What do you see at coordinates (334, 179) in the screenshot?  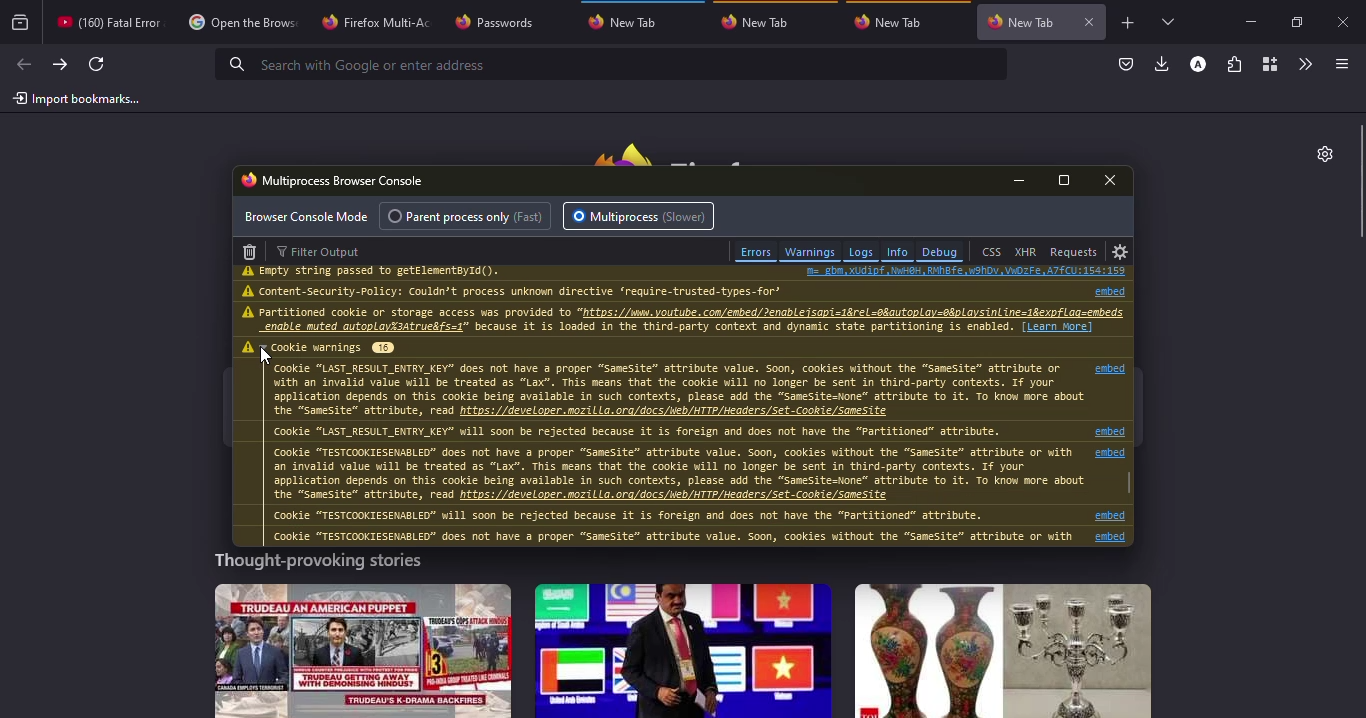 I see `browser console` at bounding box center [334, 179].